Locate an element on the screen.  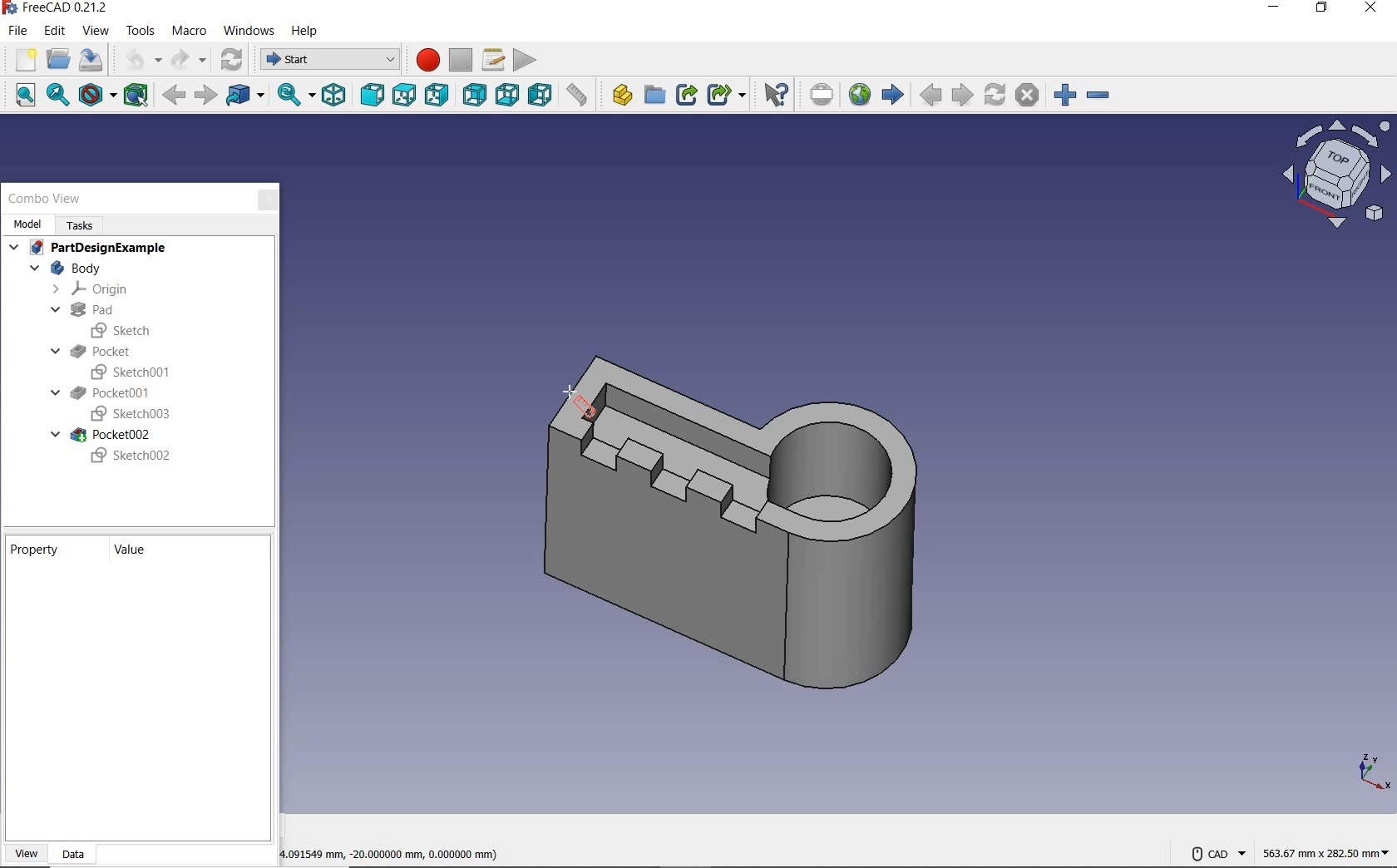
isometric is located at coordinates (335, 96).